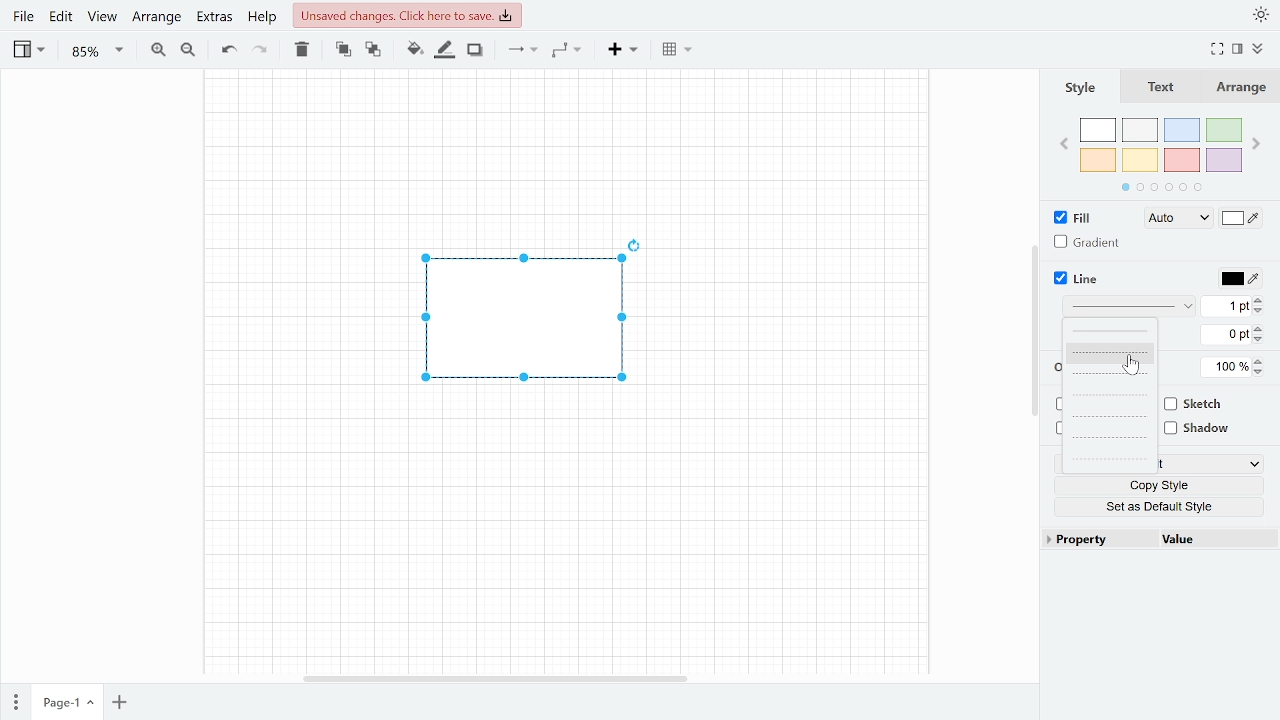 This screenshot has width=1280, height=720. What do you see at coordinates (1226, 307) in the screenshot?
I see `Line width` at bounding box center [1226, 307].